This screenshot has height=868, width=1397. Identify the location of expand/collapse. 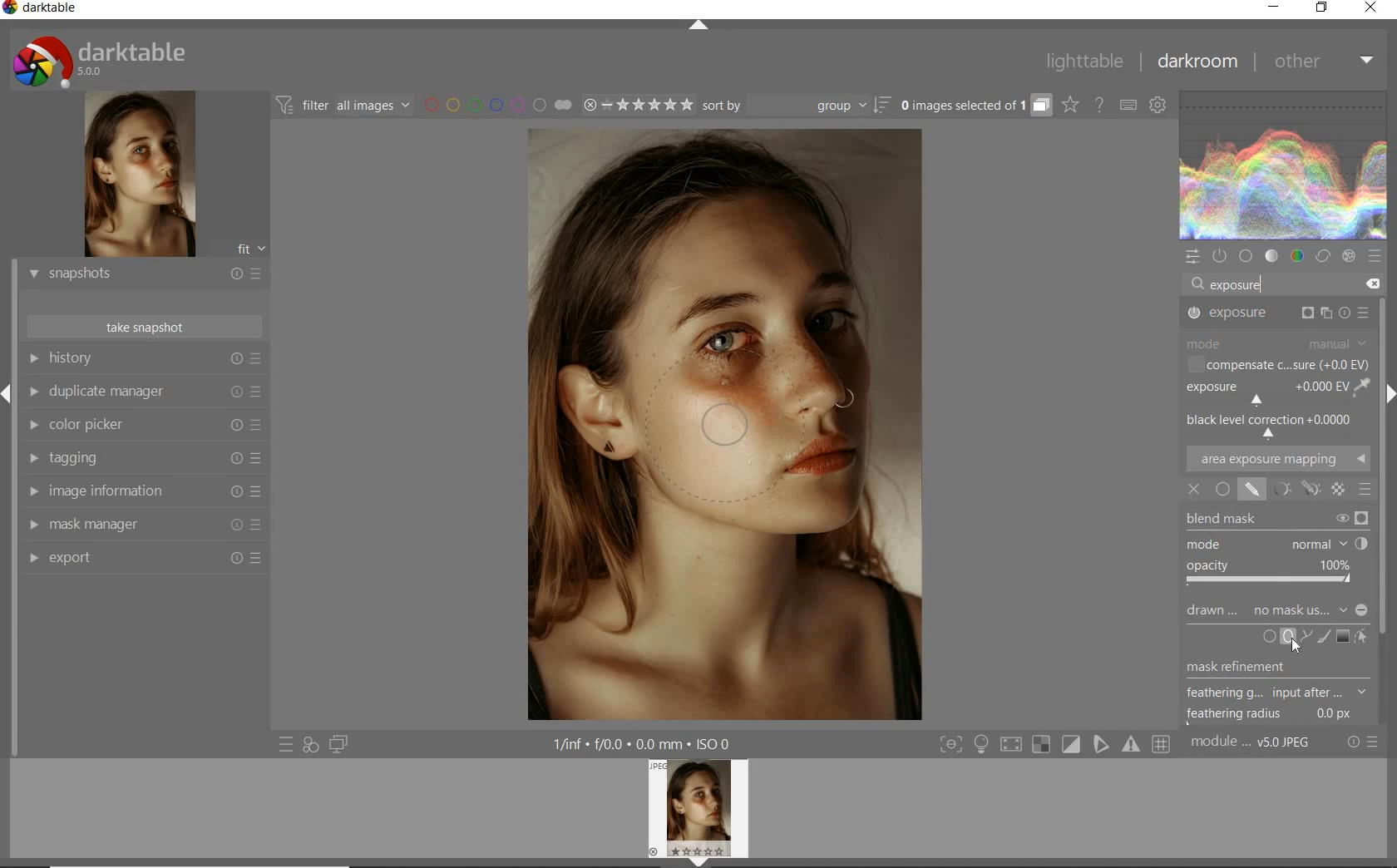
(698, 27).